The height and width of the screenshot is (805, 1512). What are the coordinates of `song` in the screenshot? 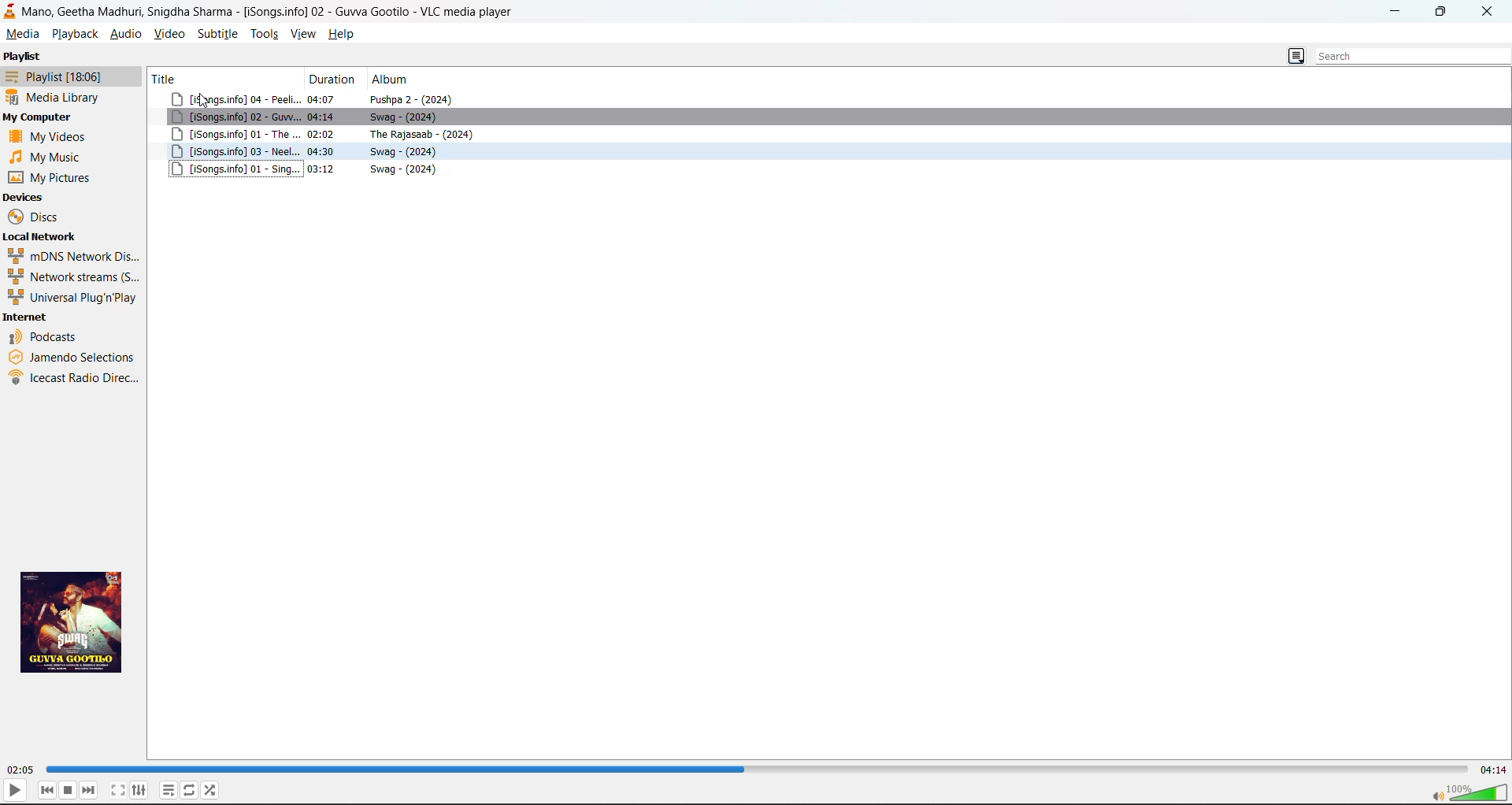 It's located at (833, 99).